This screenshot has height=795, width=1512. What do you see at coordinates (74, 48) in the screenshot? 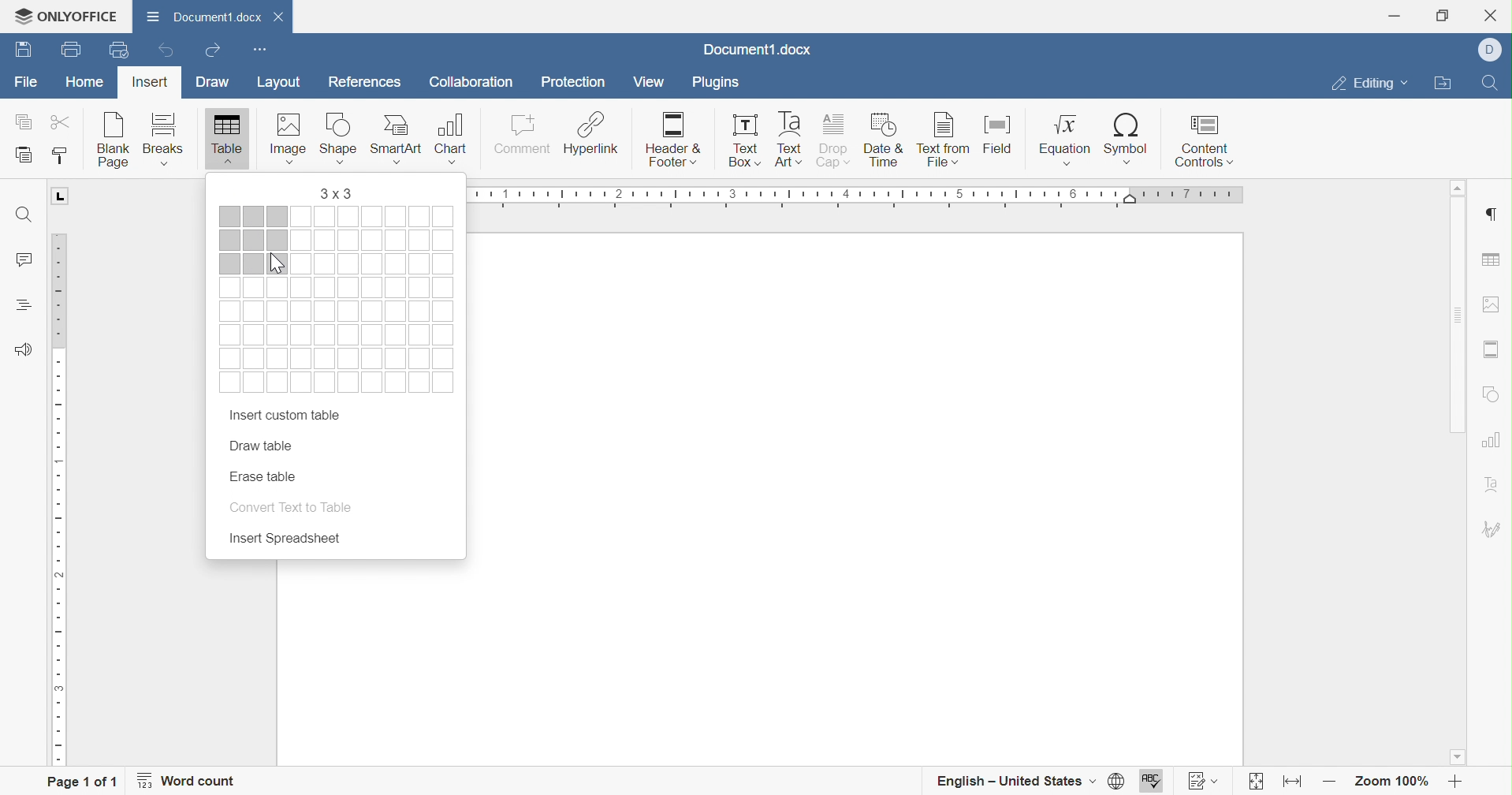
I see `Print file` at bounding box center [74, 48].